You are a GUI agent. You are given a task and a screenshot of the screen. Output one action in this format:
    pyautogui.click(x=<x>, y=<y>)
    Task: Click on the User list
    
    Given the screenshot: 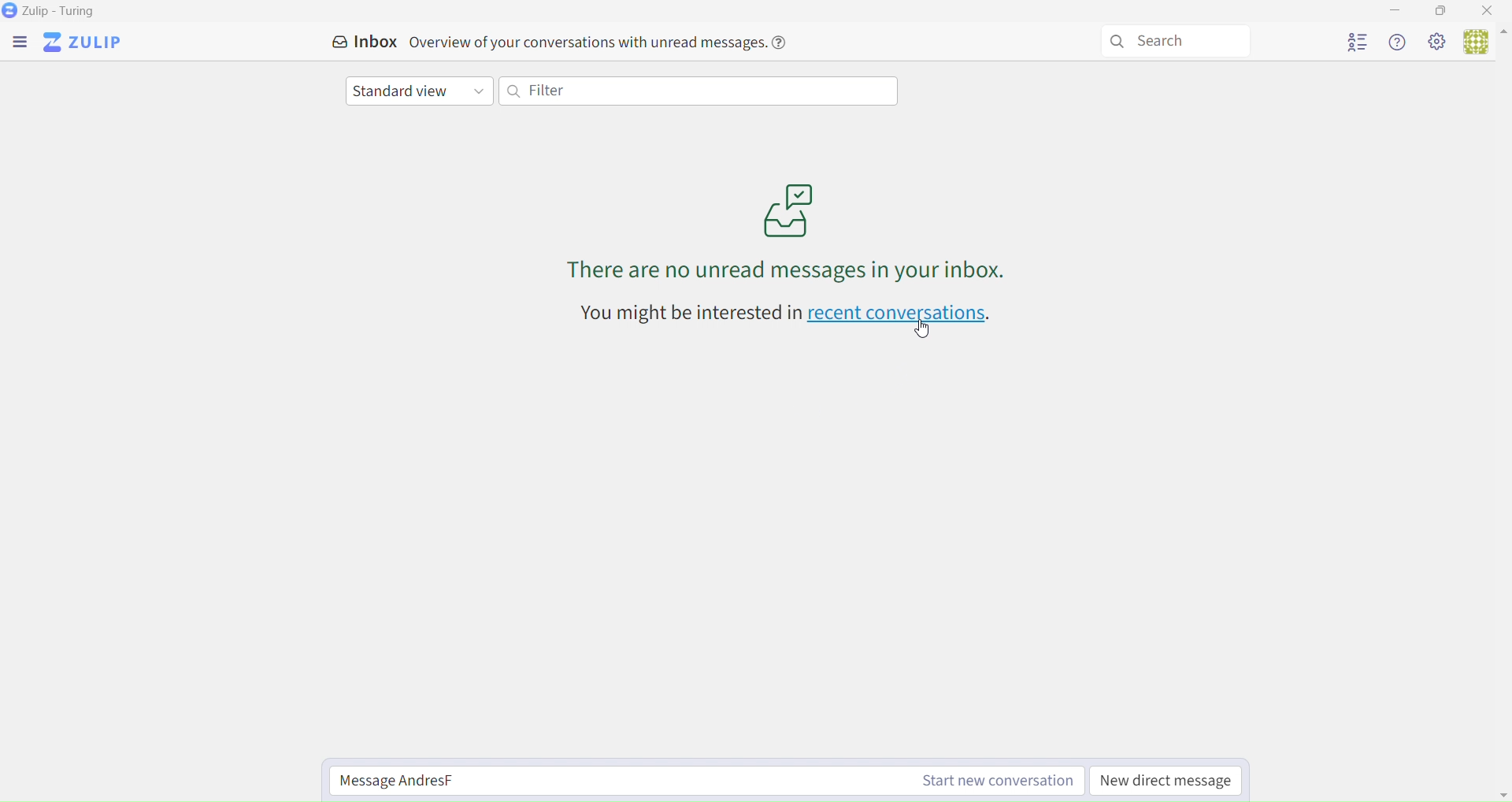 What is the action you would take?
    pyautogui.click(x=1359, y=45)
    